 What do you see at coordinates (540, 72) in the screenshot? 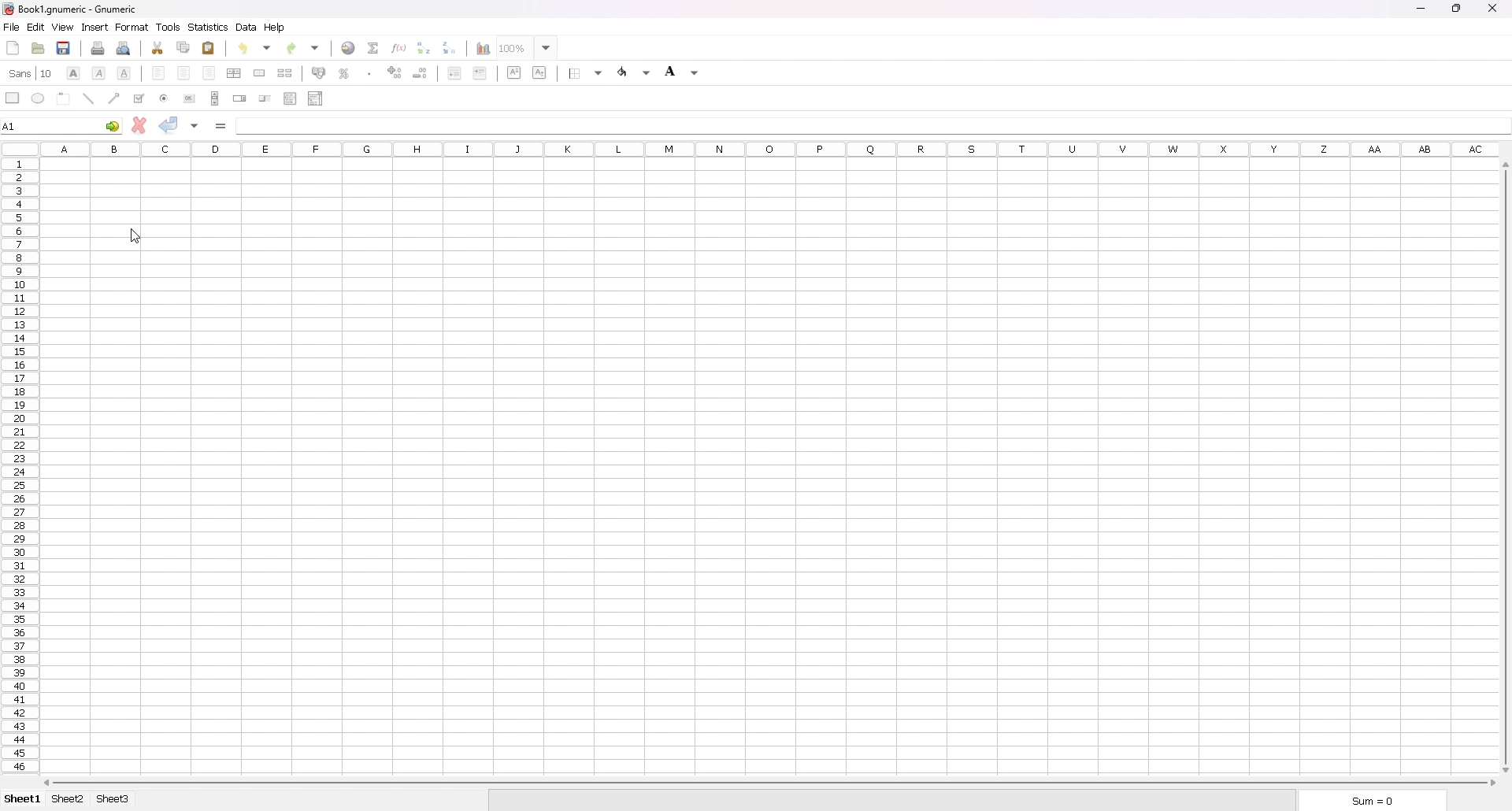
I see `subscript` at bounding box center [540, 72].